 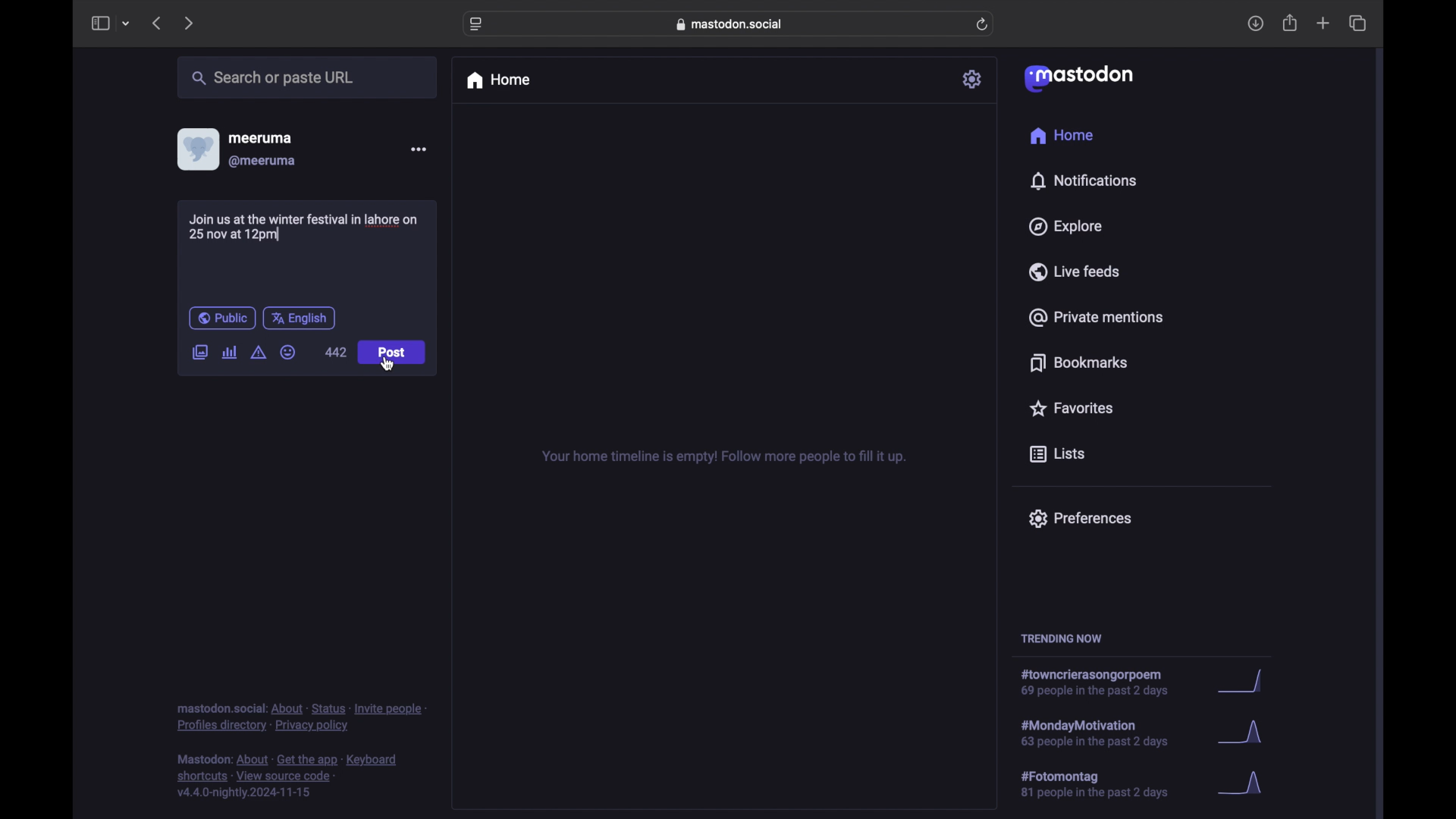 What do you see at coordinates (306, 227) in the screenshot?
I see `Join us at the winter festival in lahore on 25 at 12pm` at bounding box center [306, 227].